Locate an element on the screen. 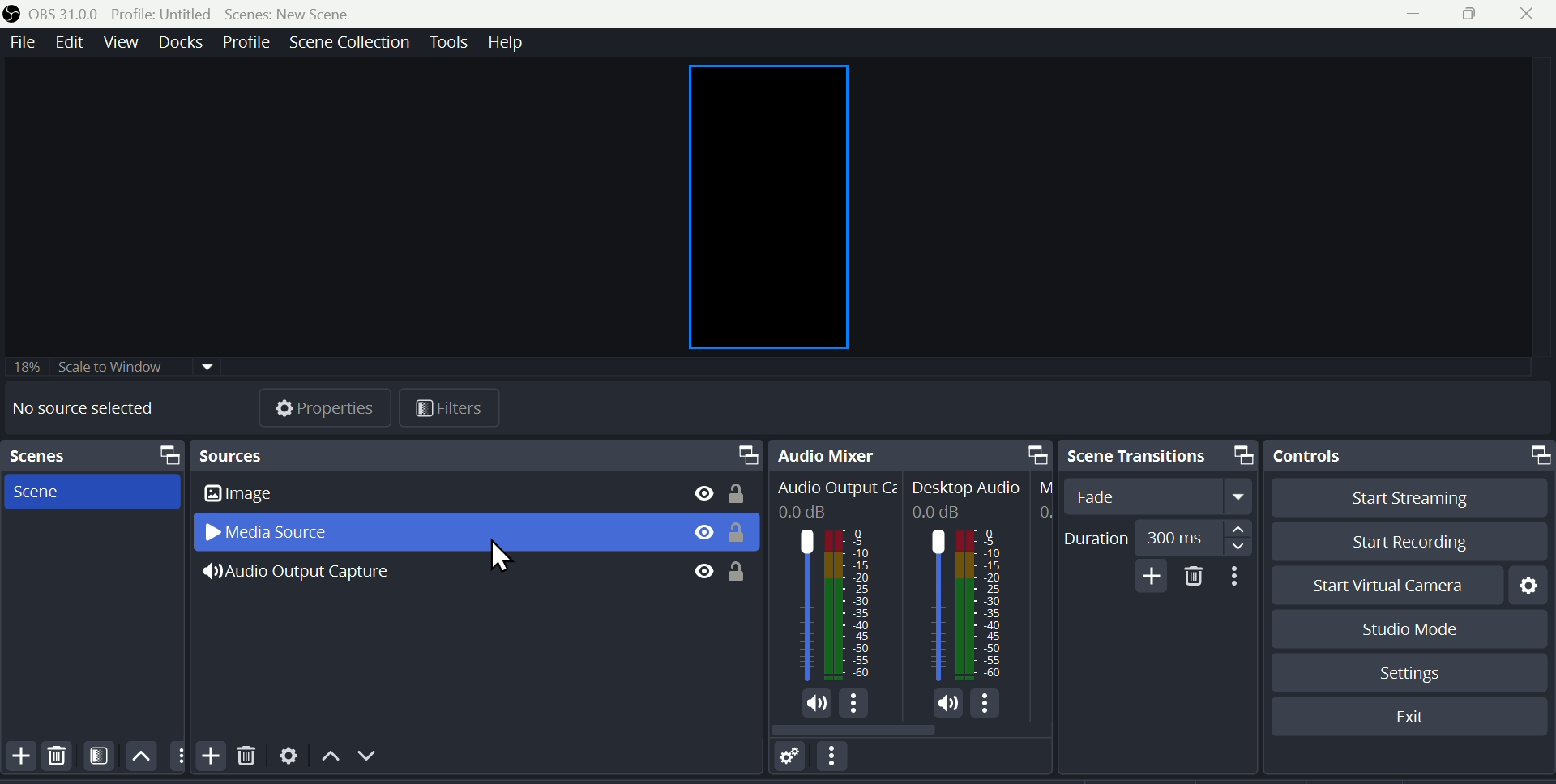 This screenshot has height=784, width=1556. Controls is located at coordinates (1413, 456).